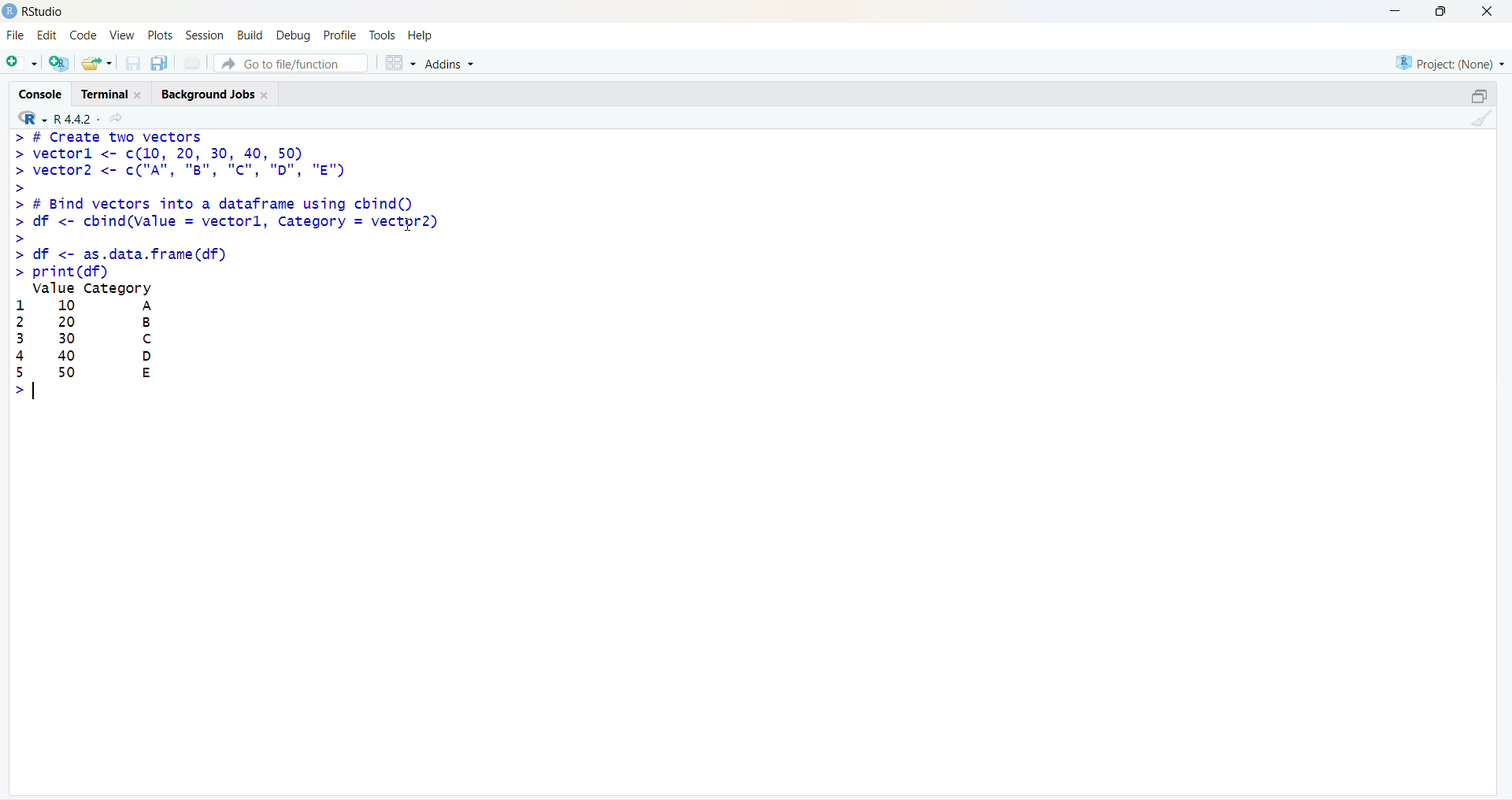 The image size is (1512, 800). What do you see at coordinates (214, 94) in the screenshot?
I see `Background Jobs` at bounding box center [214, 94].